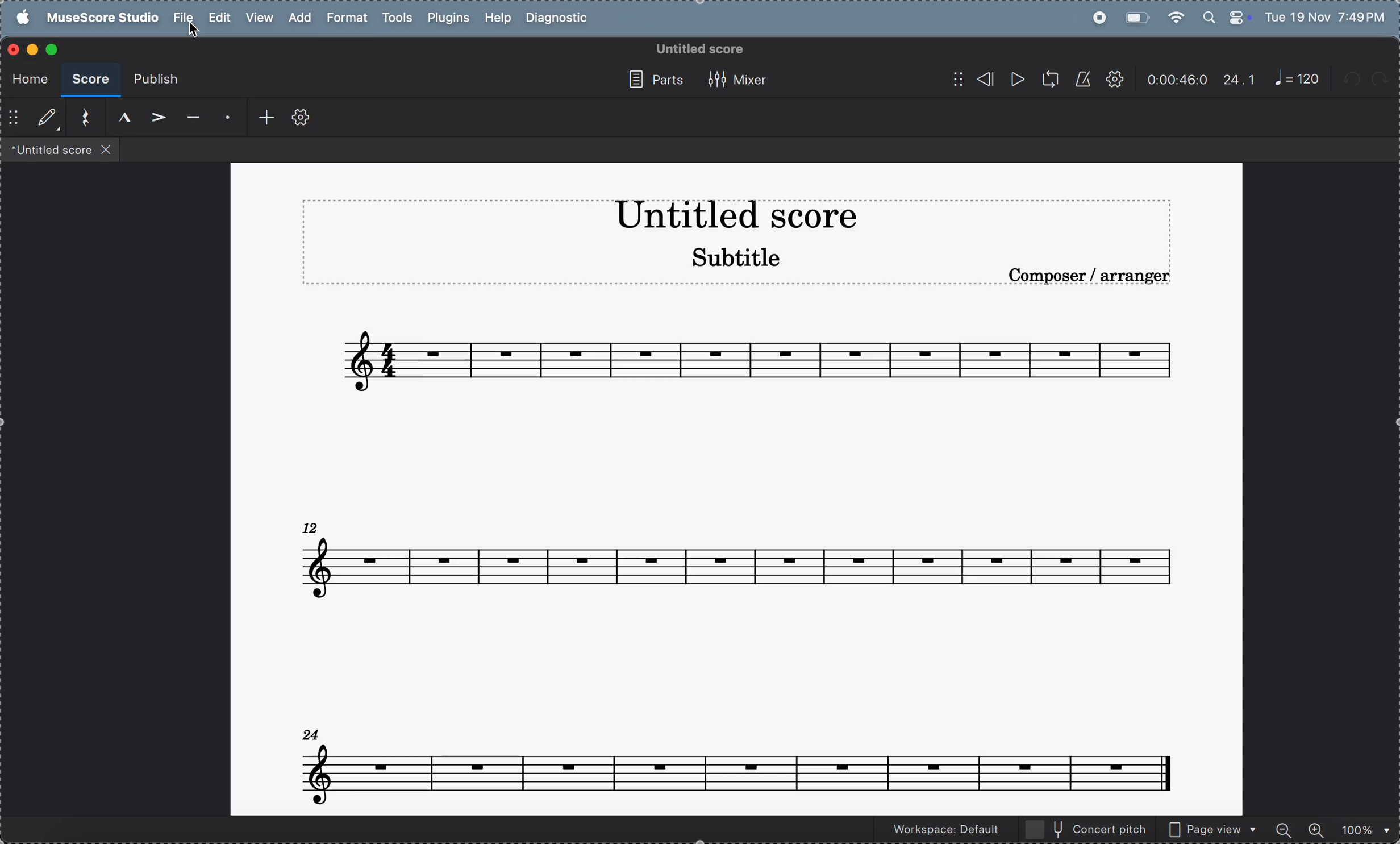 The height and width of the screenshot is (844, 1400). What do you see at coordinates (298, 17) in the screenshot?
I see `add` at bounding box center [298, 17].